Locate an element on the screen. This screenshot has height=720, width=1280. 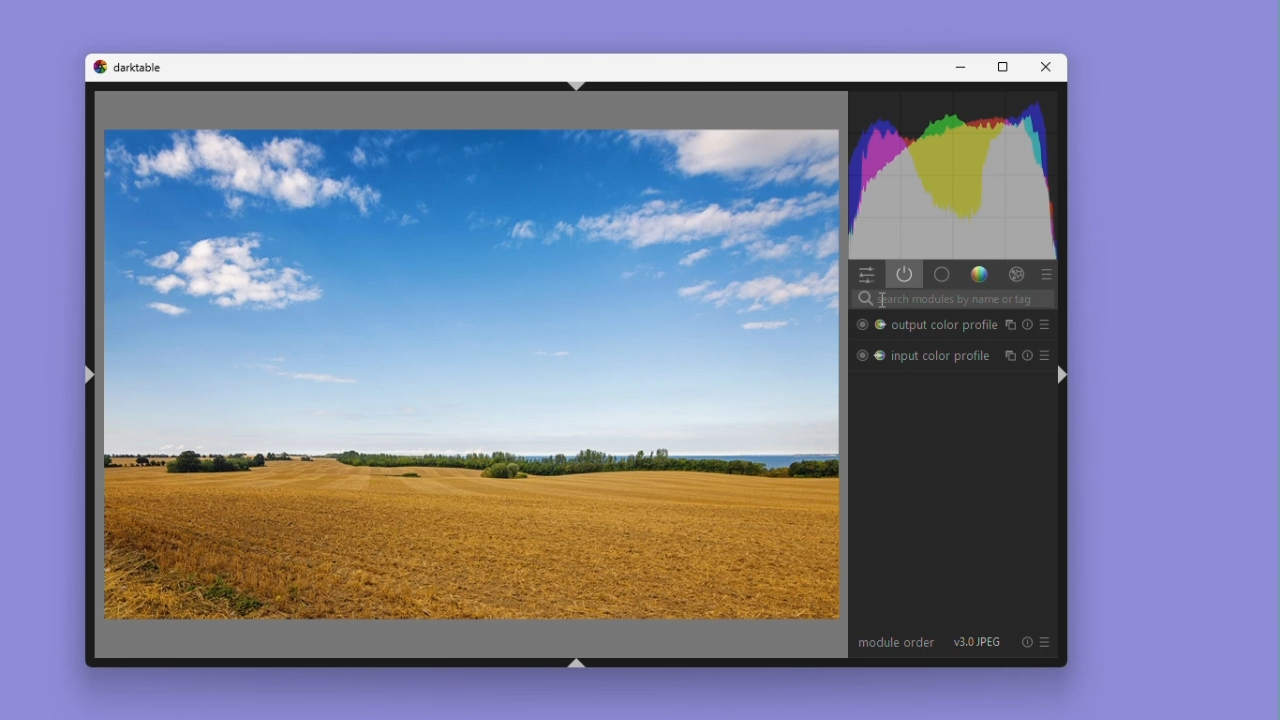
gradient  is located at coordinates (977, 274).